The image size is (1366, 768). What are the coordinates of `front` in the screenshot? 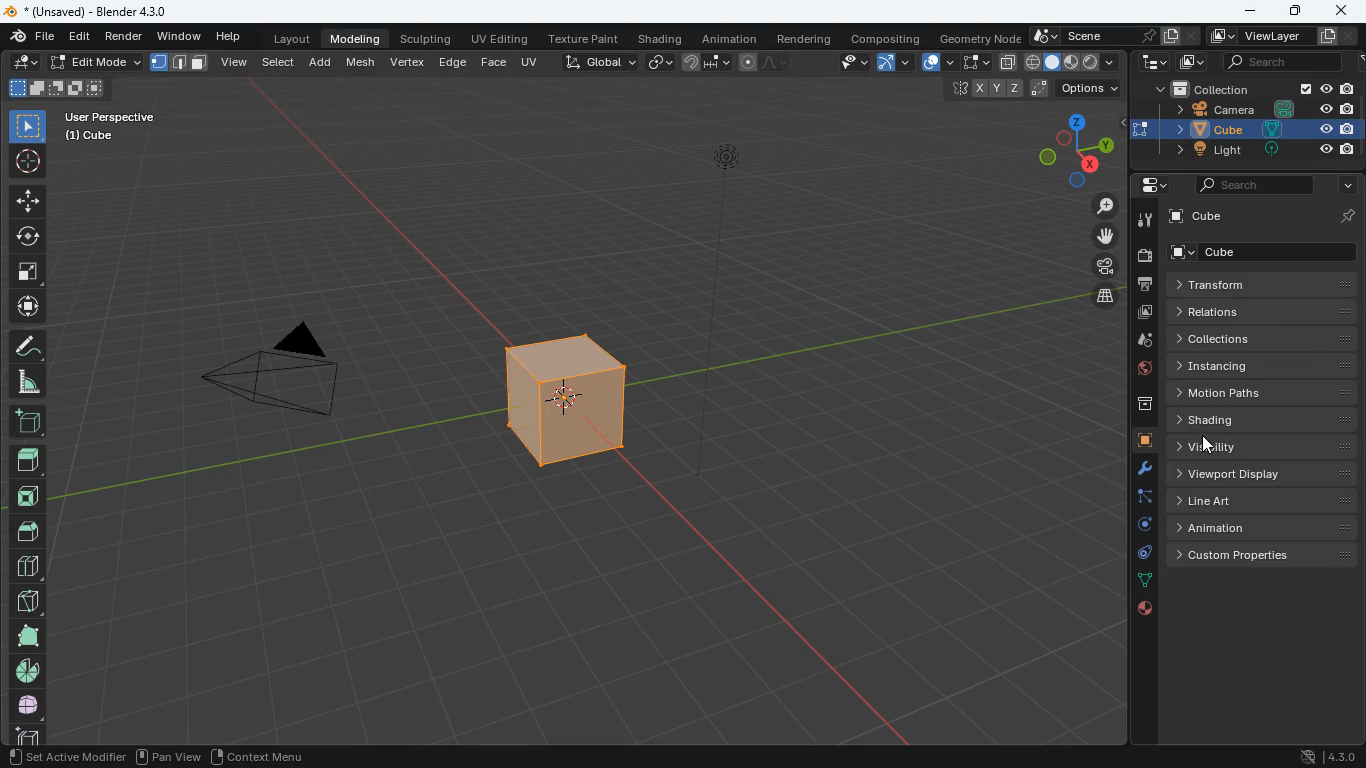 It's located at (29, 500).